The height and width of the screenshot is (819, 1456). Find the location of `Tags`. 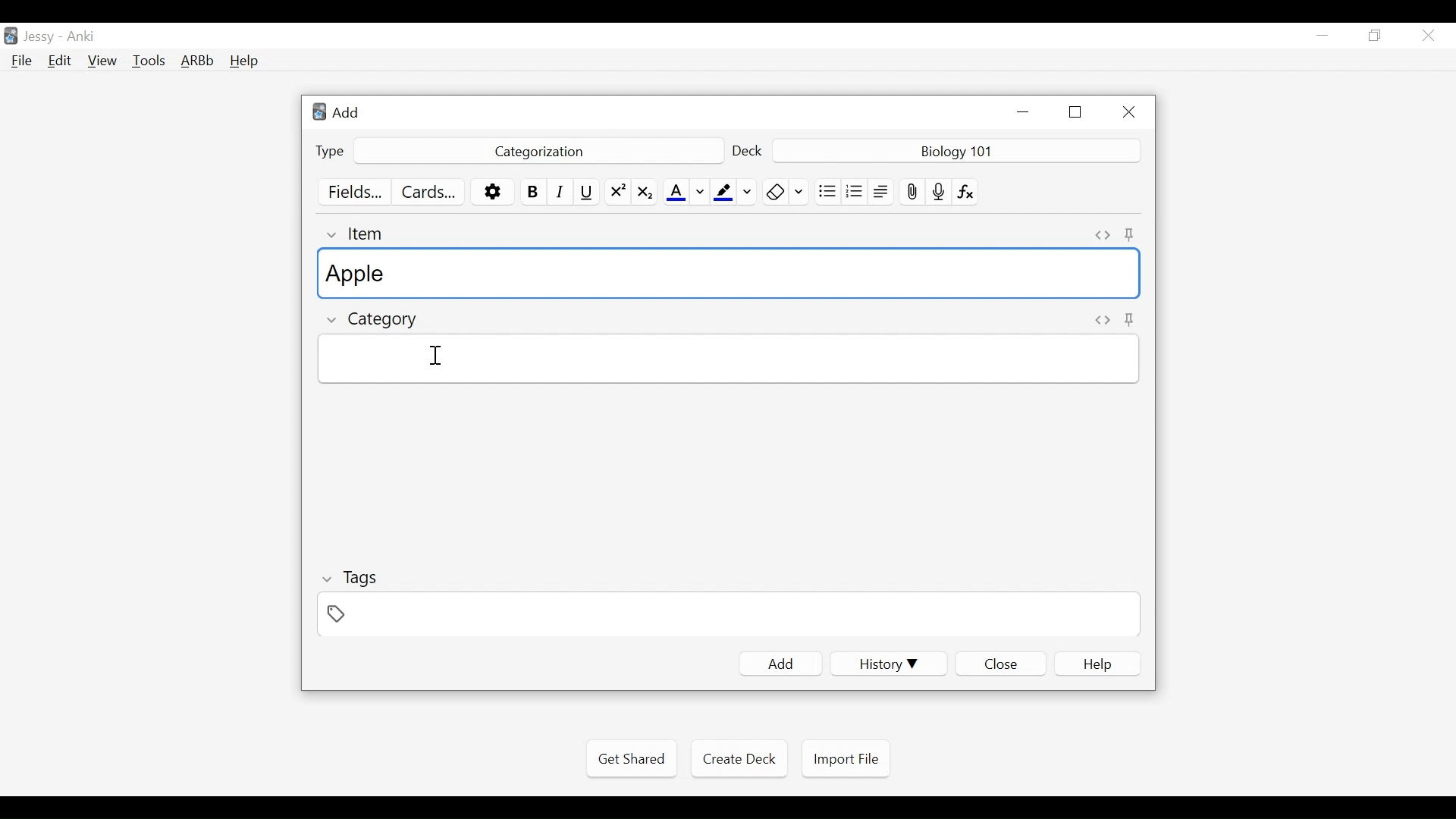

Tags is located at coordinates (349, 580).